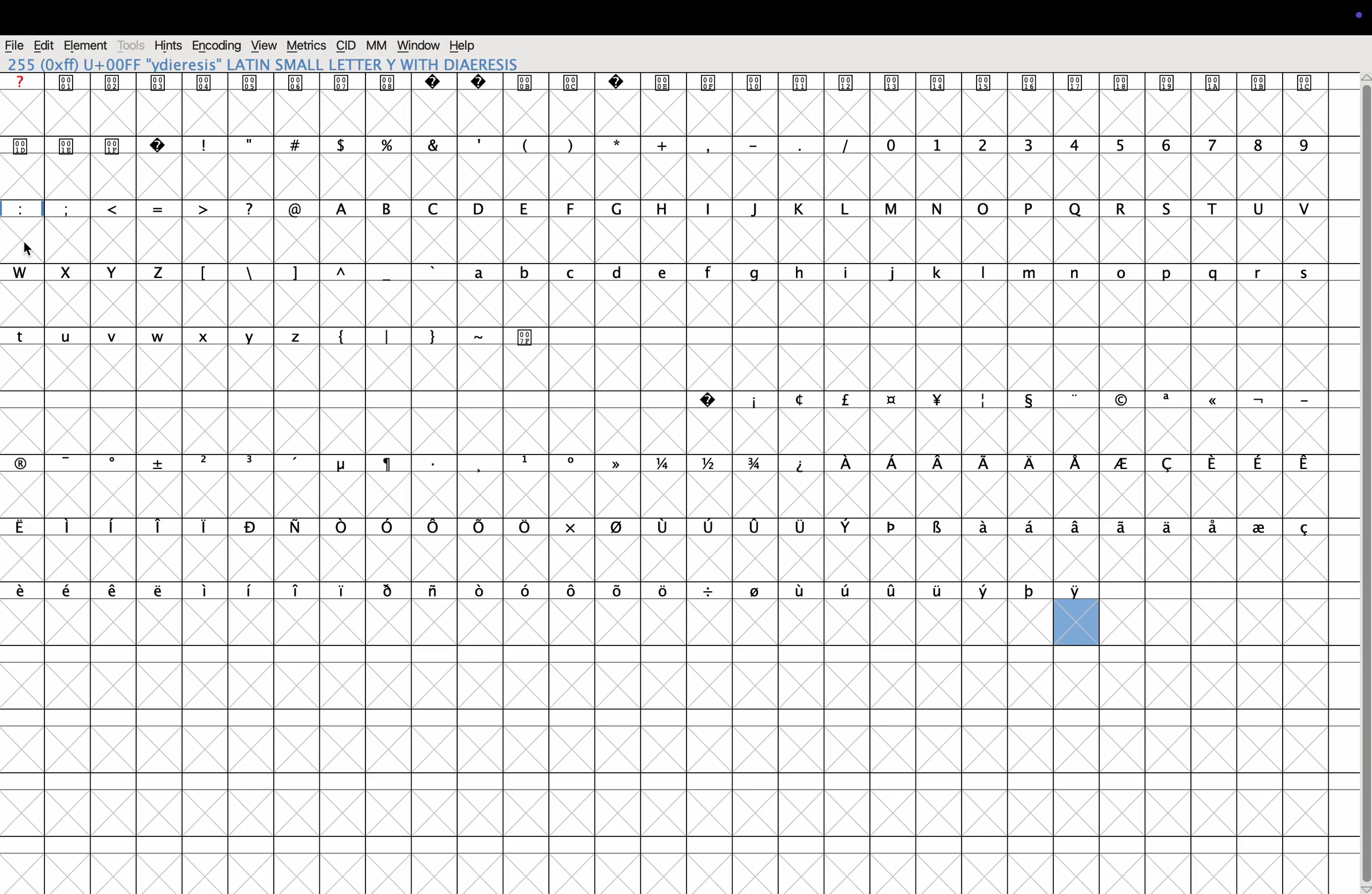  I want to click on G, so click(621, 232).